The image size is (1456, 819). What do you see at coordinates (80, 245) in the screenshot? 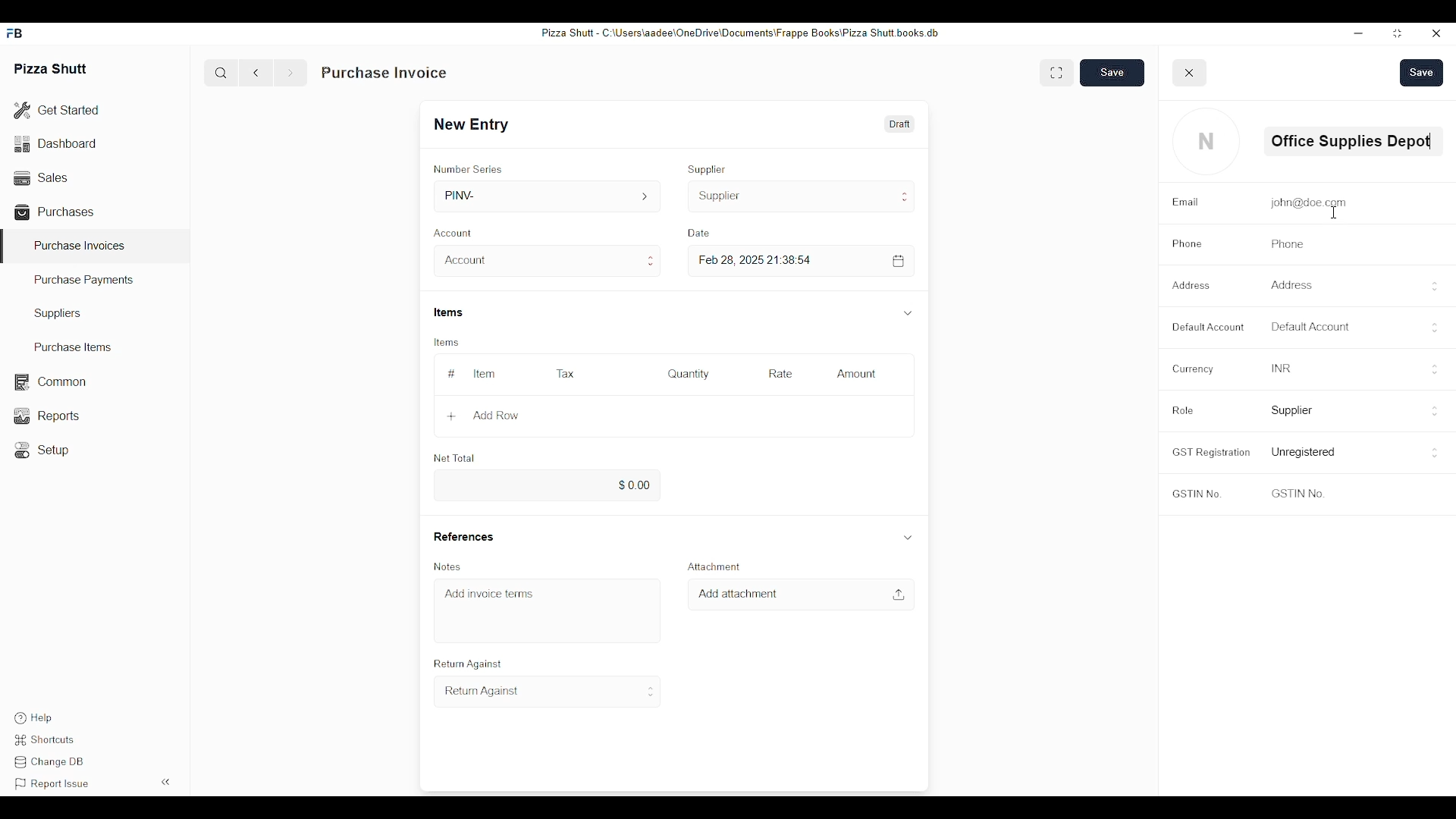
I see `Purchase Invoices` at bounding box center [80, 245].